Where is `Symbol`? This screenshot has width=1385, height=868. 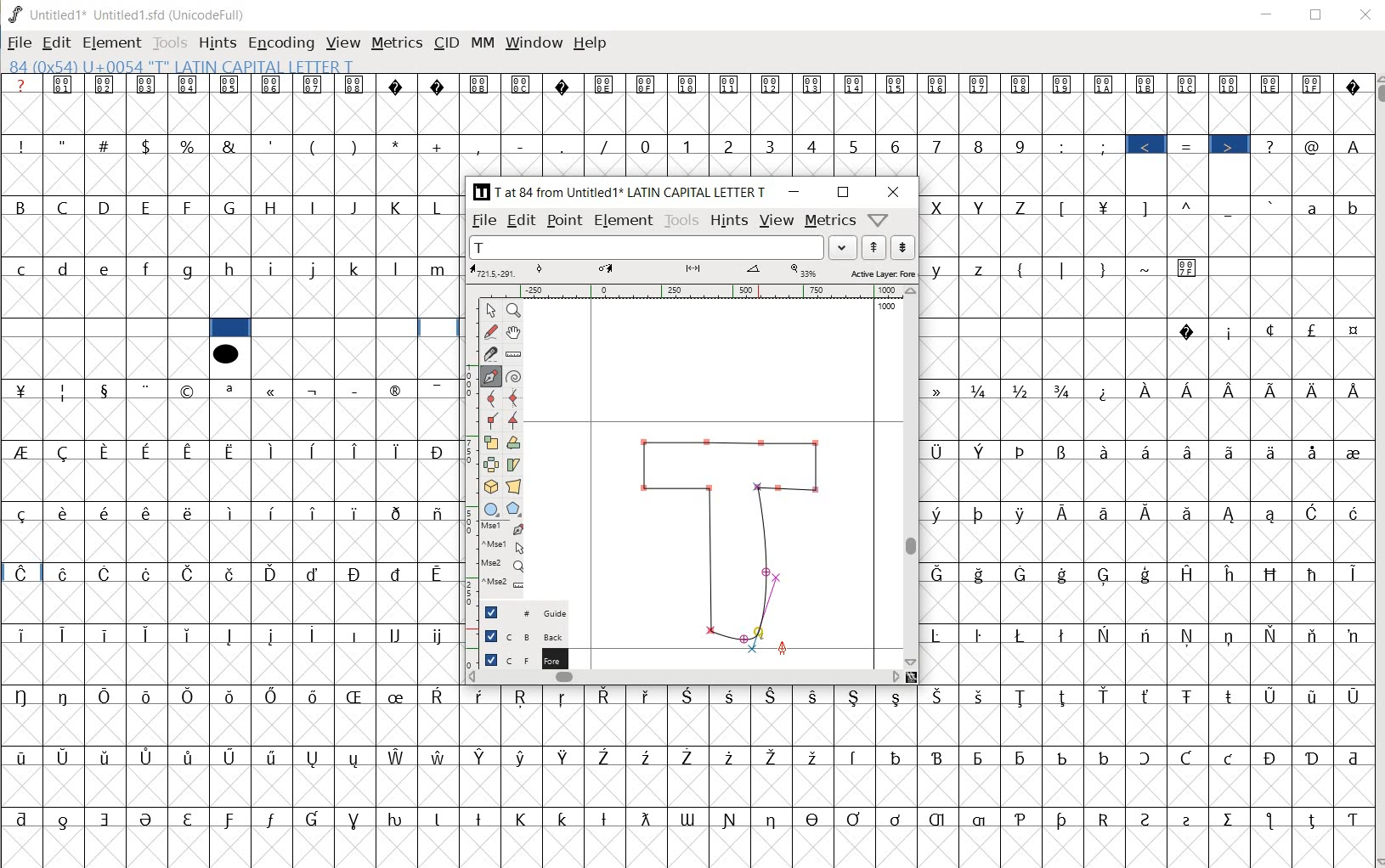 Symbol is located at coordinates (399, 389).